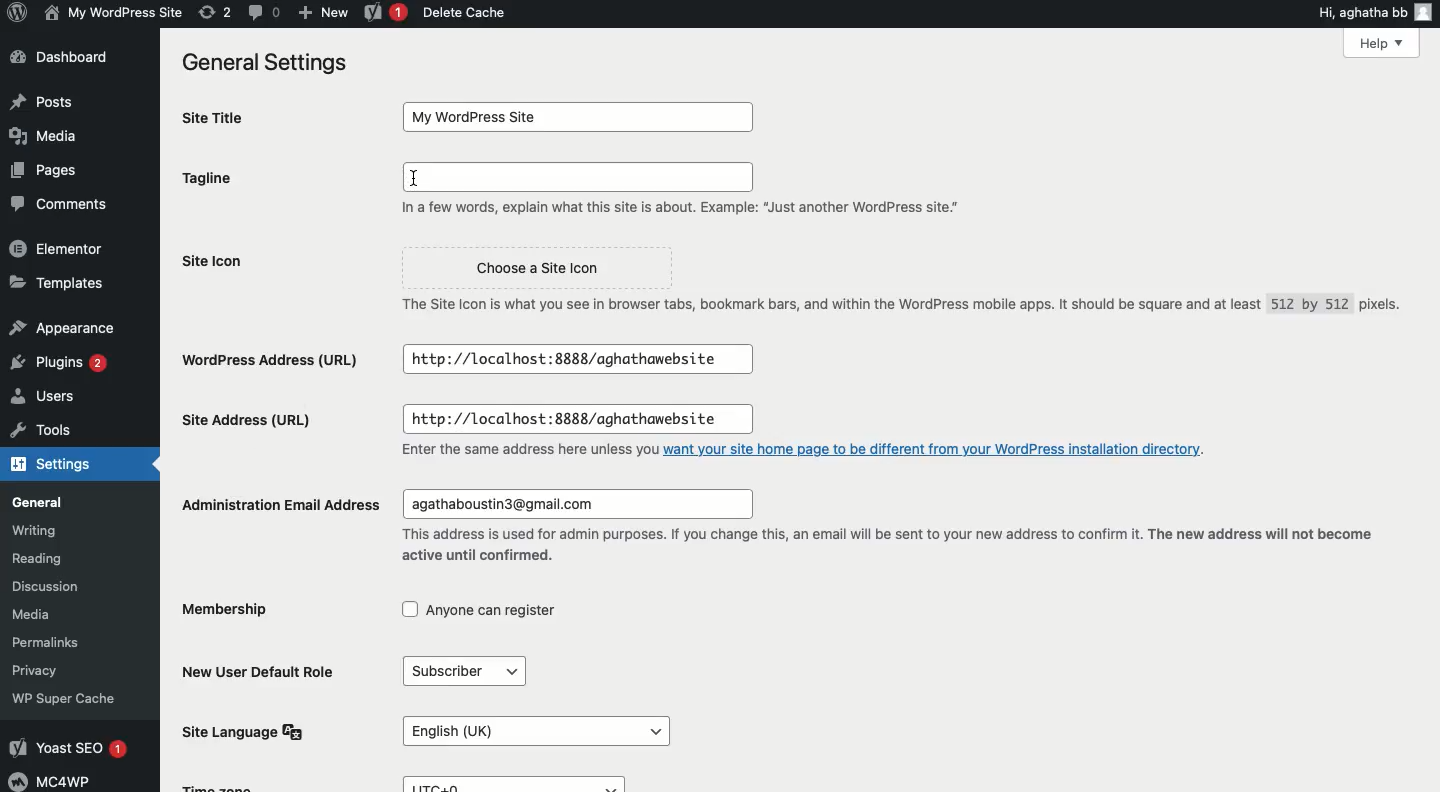 The image size is (1440, 792). Describe the element at coordinates (268, 421) in the screenshot. I see `Site address URL` at that location.